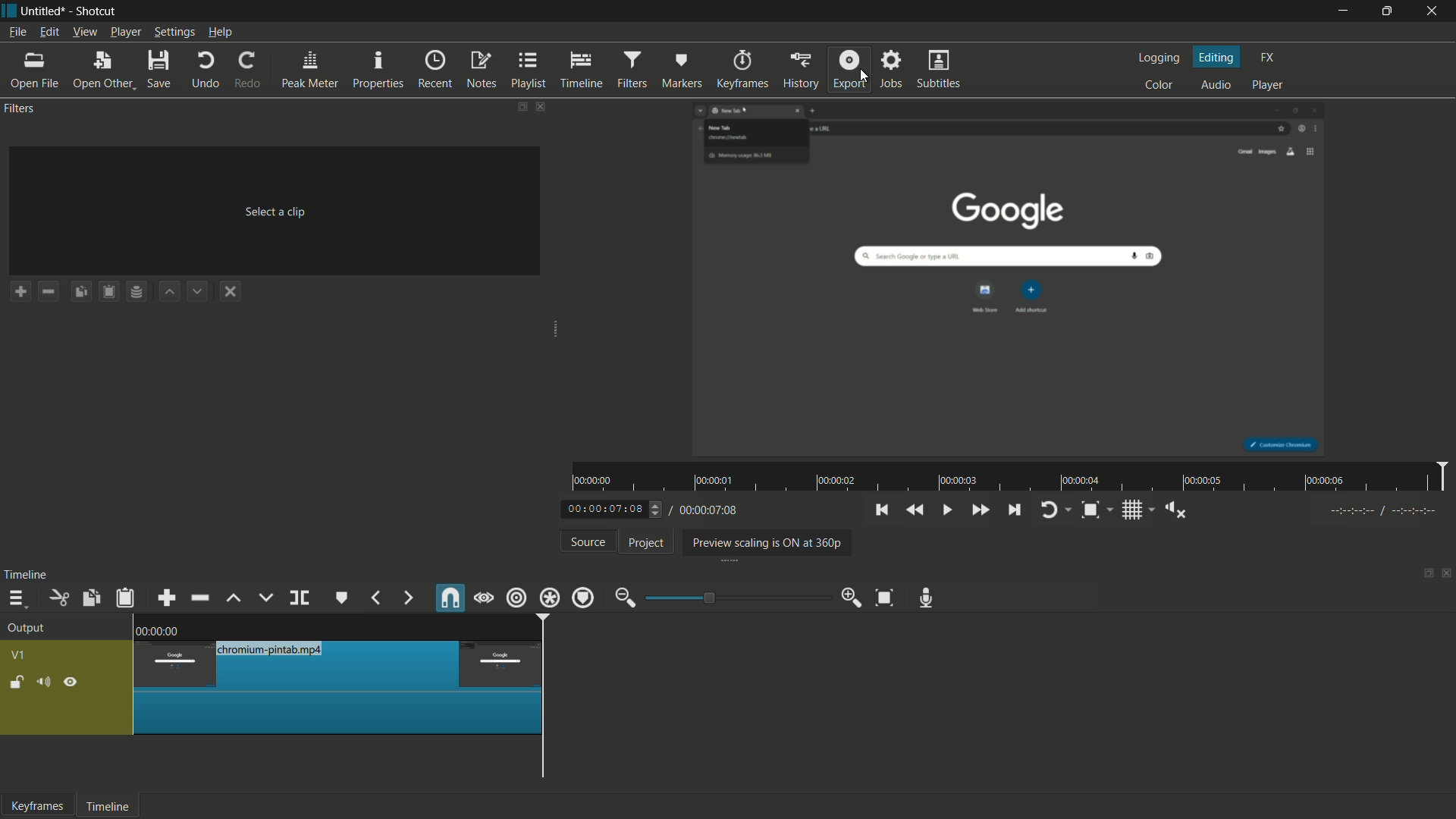 Image resolution: width=1456 pixels, height=819 pixels. Describe the element at coordinates (485, 600) in the screenshot. I see `scrub while dragging` at that location.